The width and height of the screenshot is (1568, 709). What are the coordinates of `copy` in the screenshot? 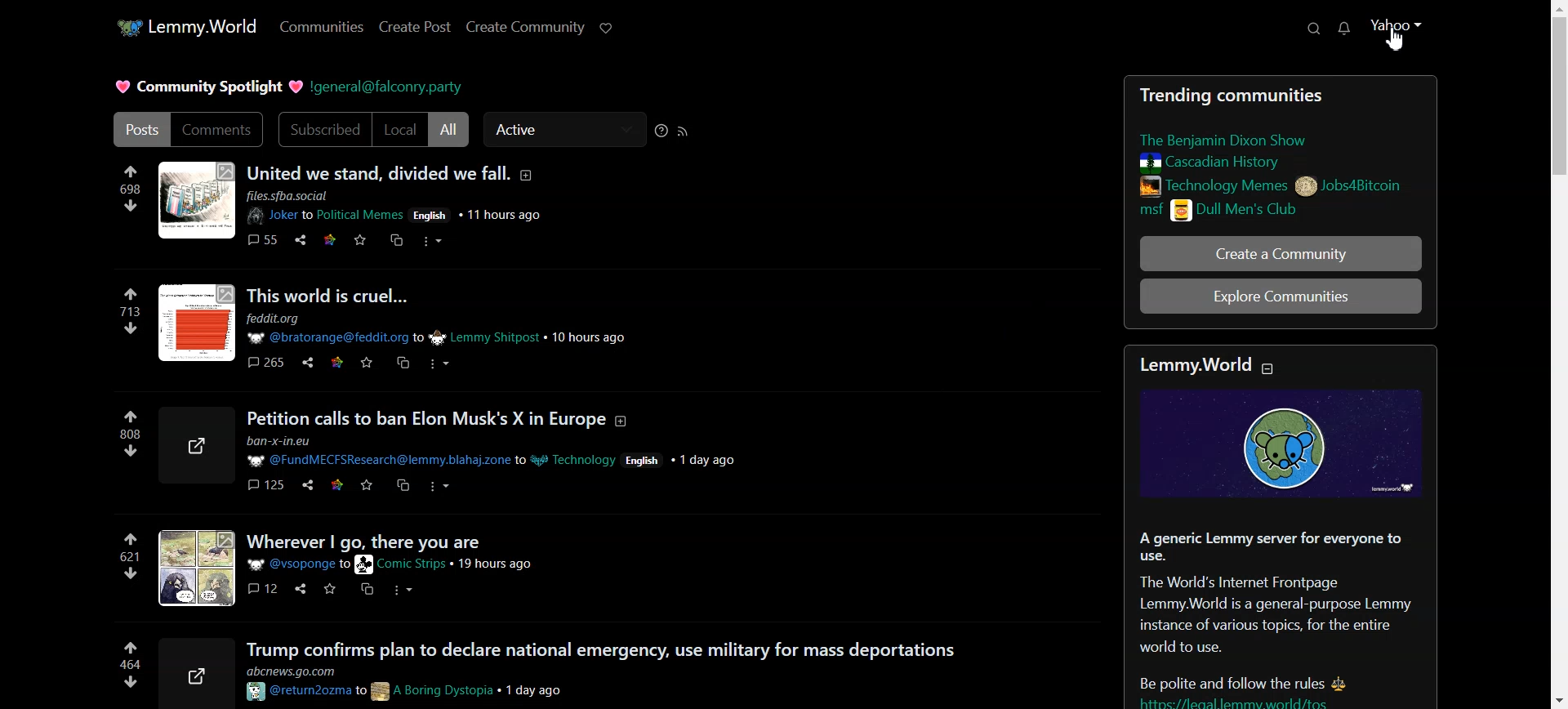 It's located at (366, 595).